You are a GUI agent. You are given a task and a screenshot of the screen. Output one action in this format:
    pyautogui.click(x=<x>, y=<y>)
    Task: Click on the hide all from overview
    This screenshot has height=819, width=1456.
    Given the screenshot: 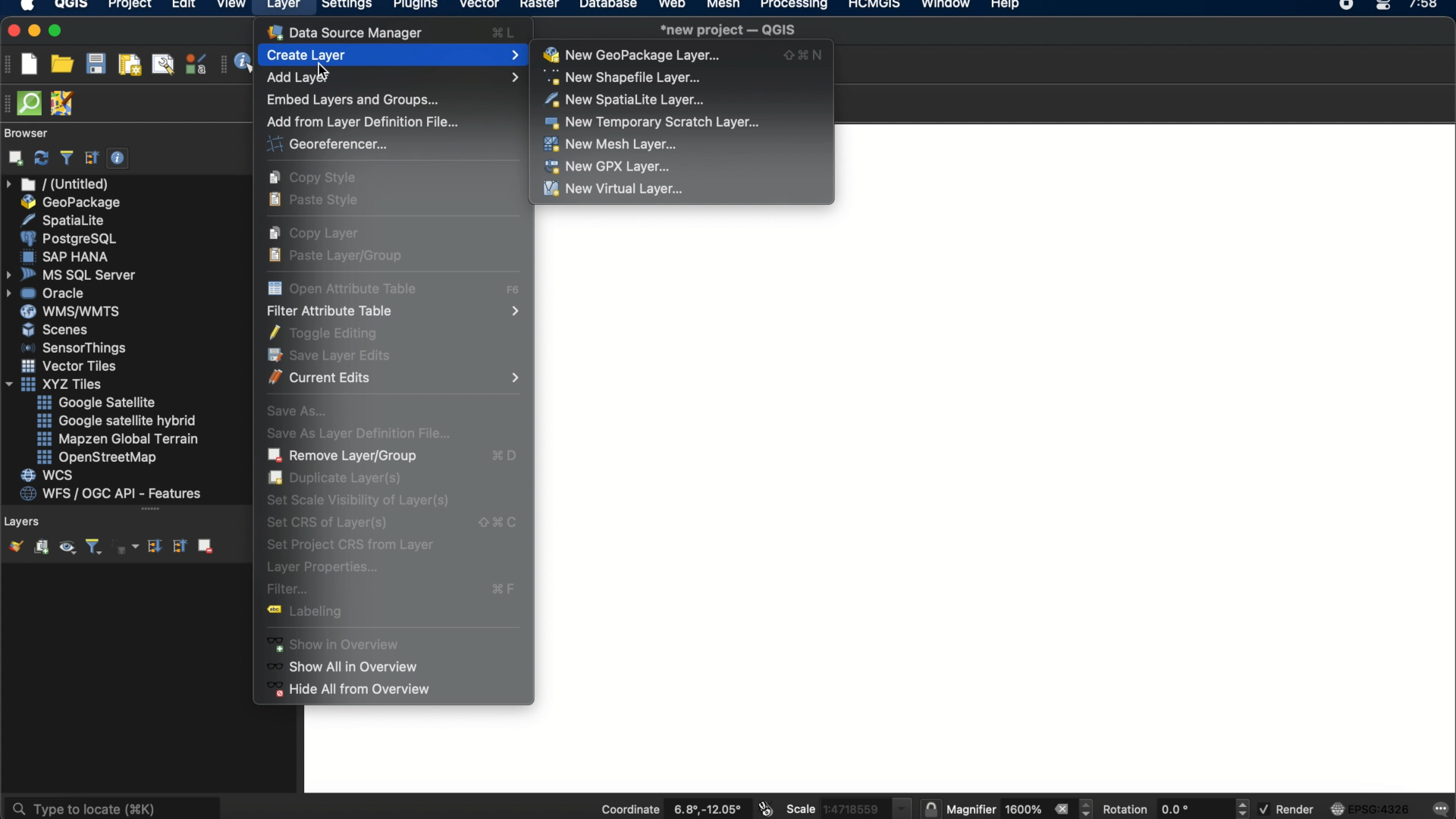 What is the action you would take?
    pyautogui.click(x=350, y=688)
    